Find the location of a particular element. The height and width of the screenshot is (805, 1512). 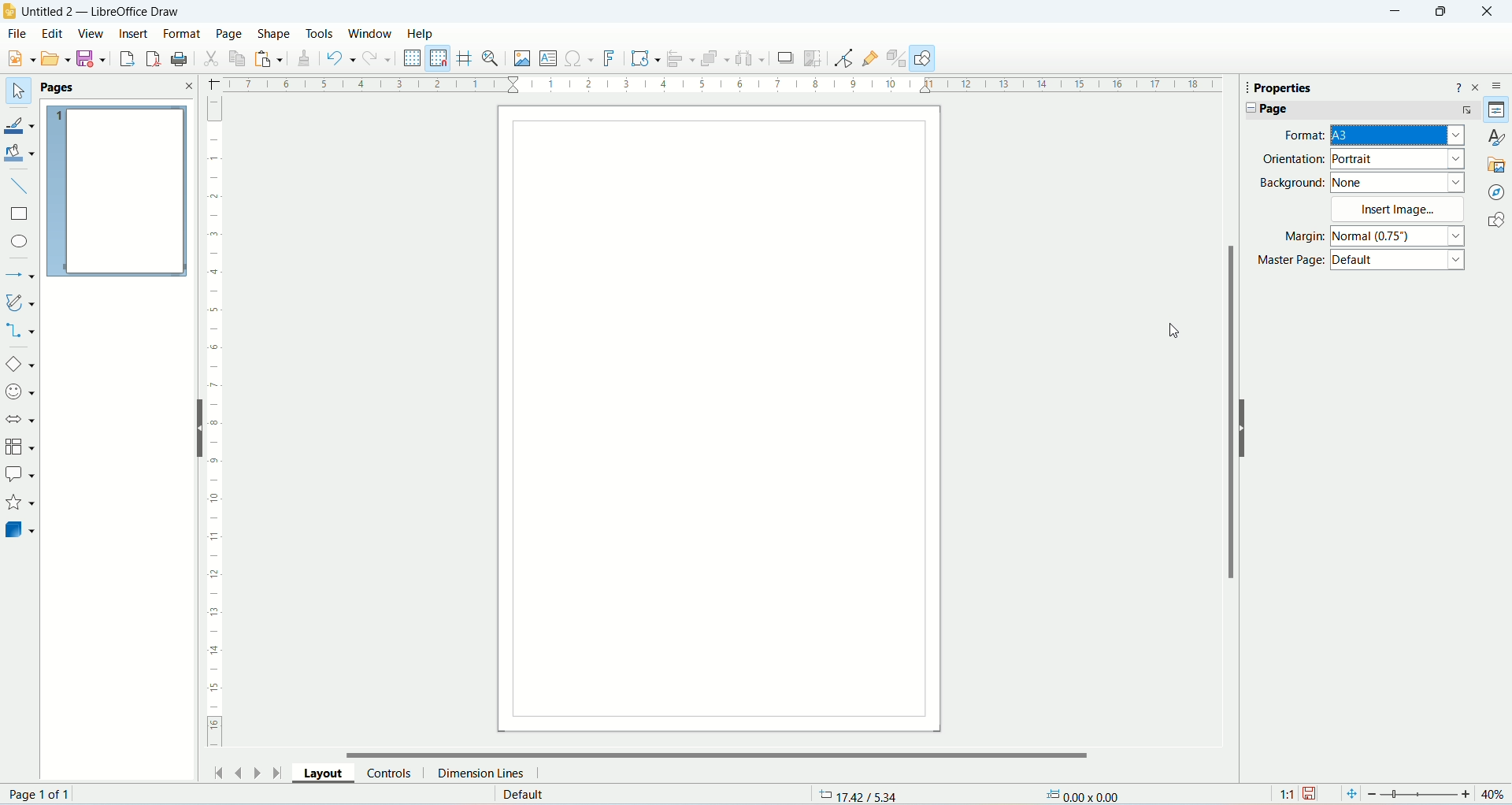

basic shapes is located at coordinates (22, 365).